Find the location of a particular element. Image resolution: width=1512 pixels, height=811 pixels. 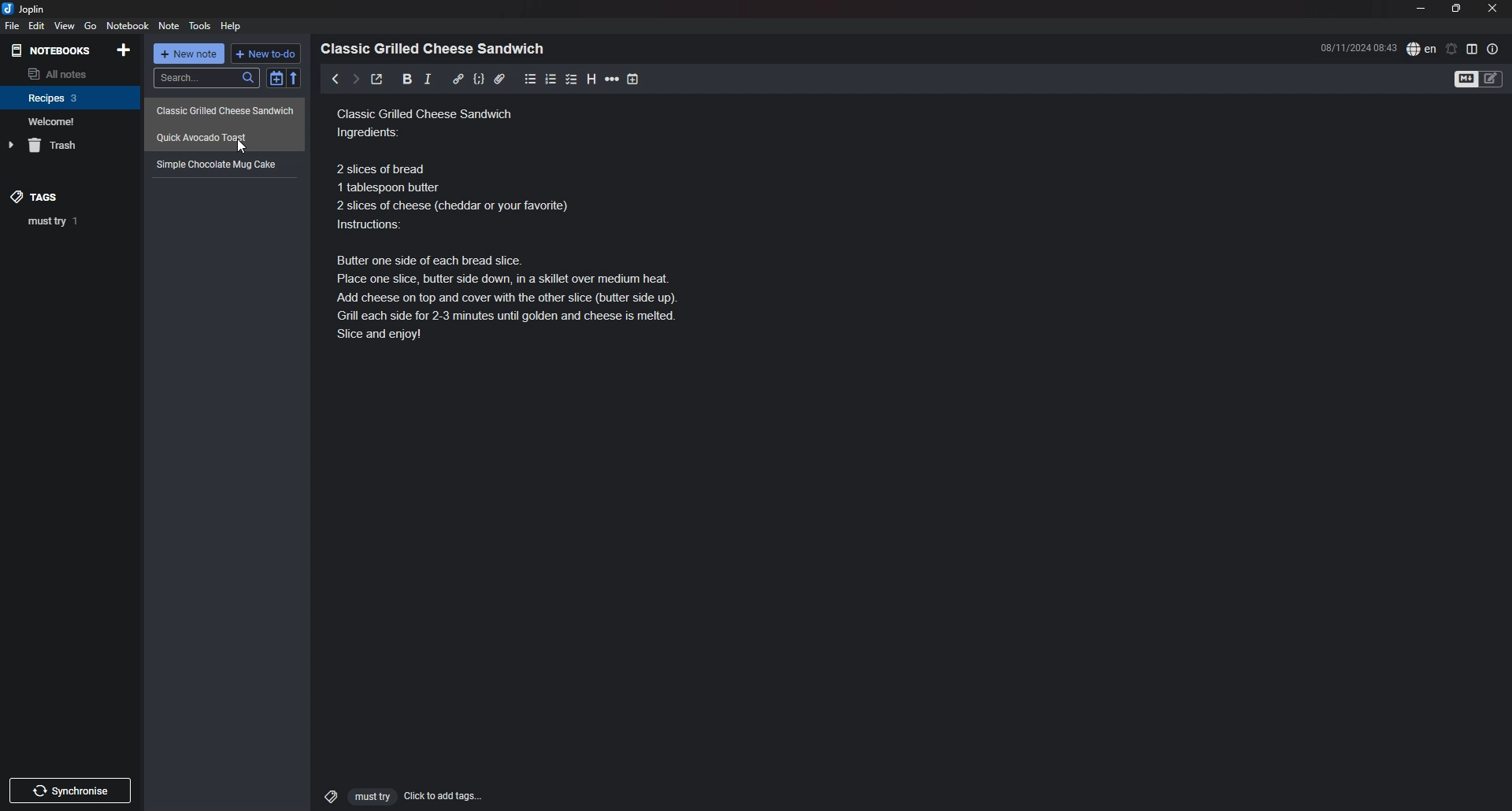

italic is located at coordinates (428, 79).